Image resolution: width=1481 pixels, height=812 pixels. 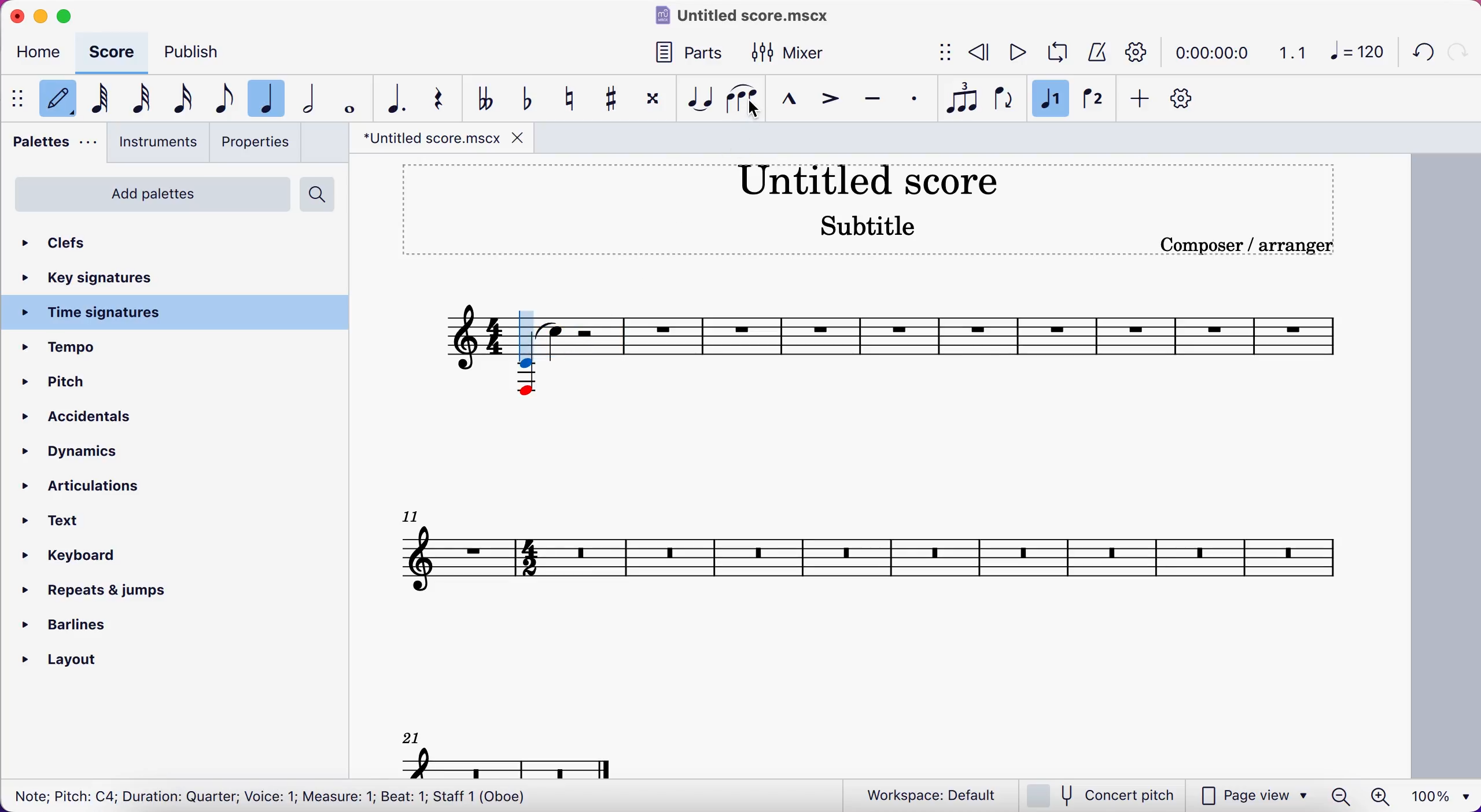 What do you see at coordinates (1252, 796) in the screenshot?
I see `page view` at bounding box center [1252, 796].